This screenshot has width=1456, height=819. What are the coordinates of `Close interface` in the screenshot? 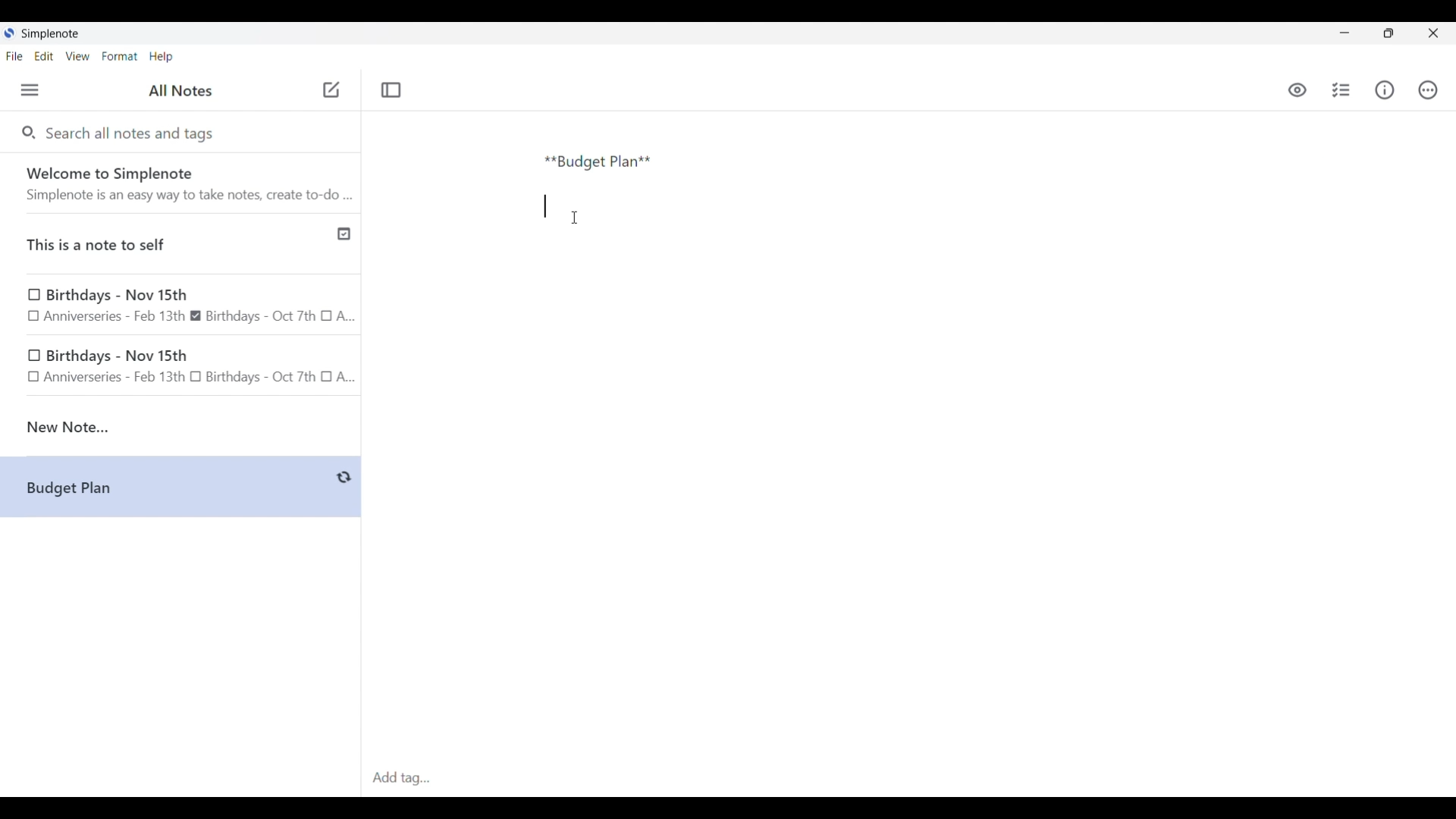 It's located at (1433, 33).